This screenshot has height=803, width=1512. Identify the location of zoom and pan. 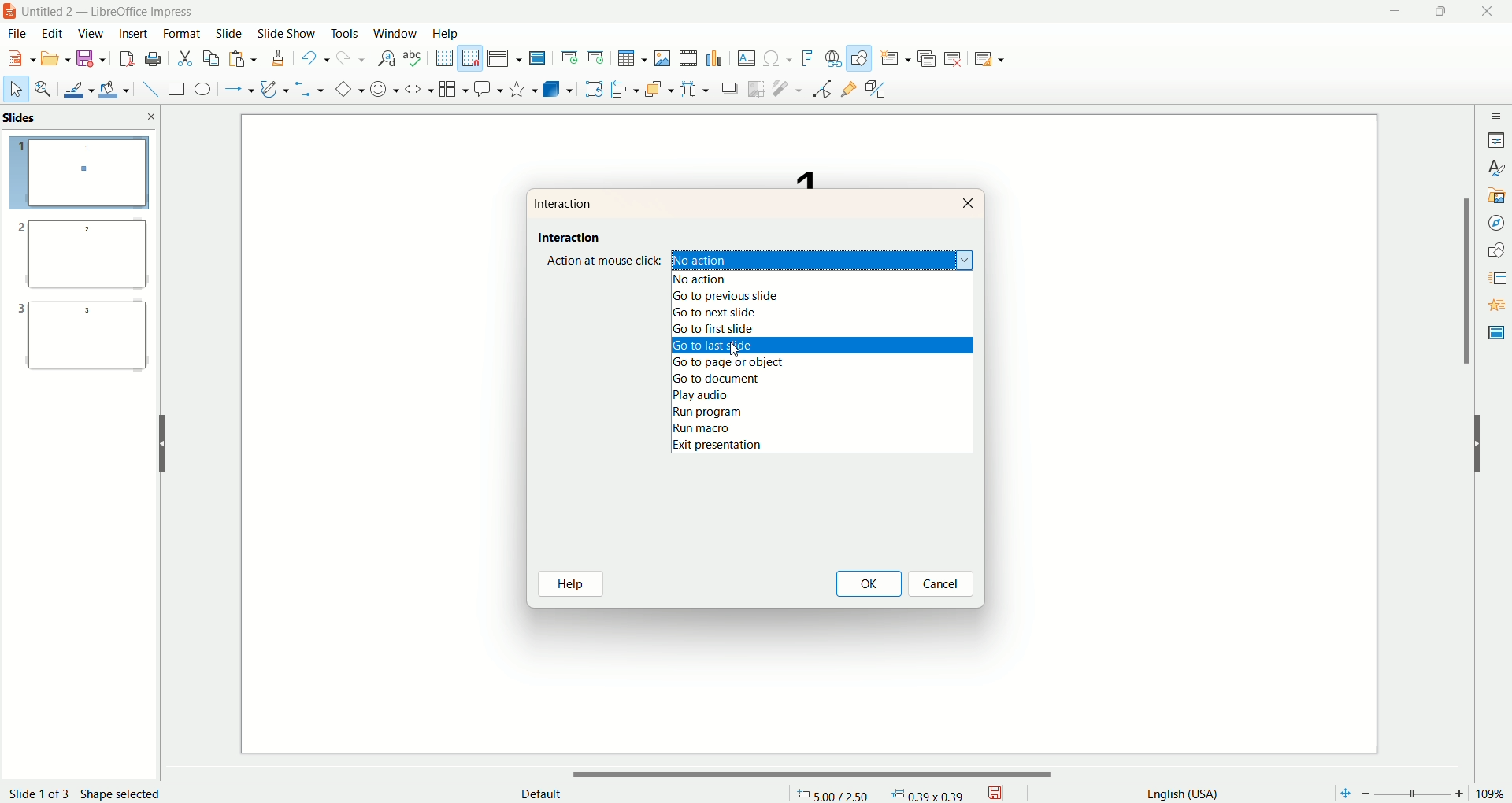
(42, 90).